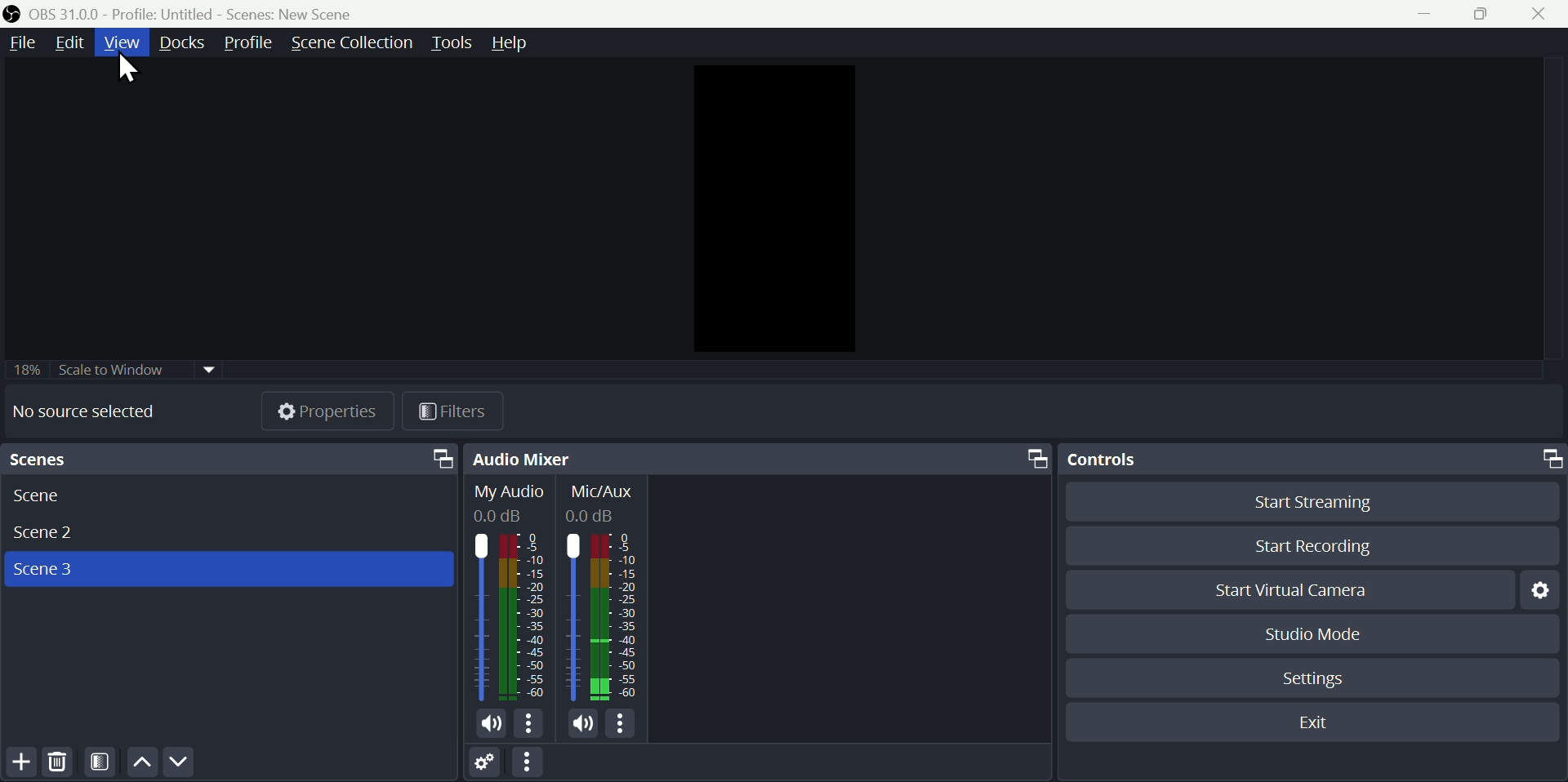  I want to click on Exit, so click(1308, 721).